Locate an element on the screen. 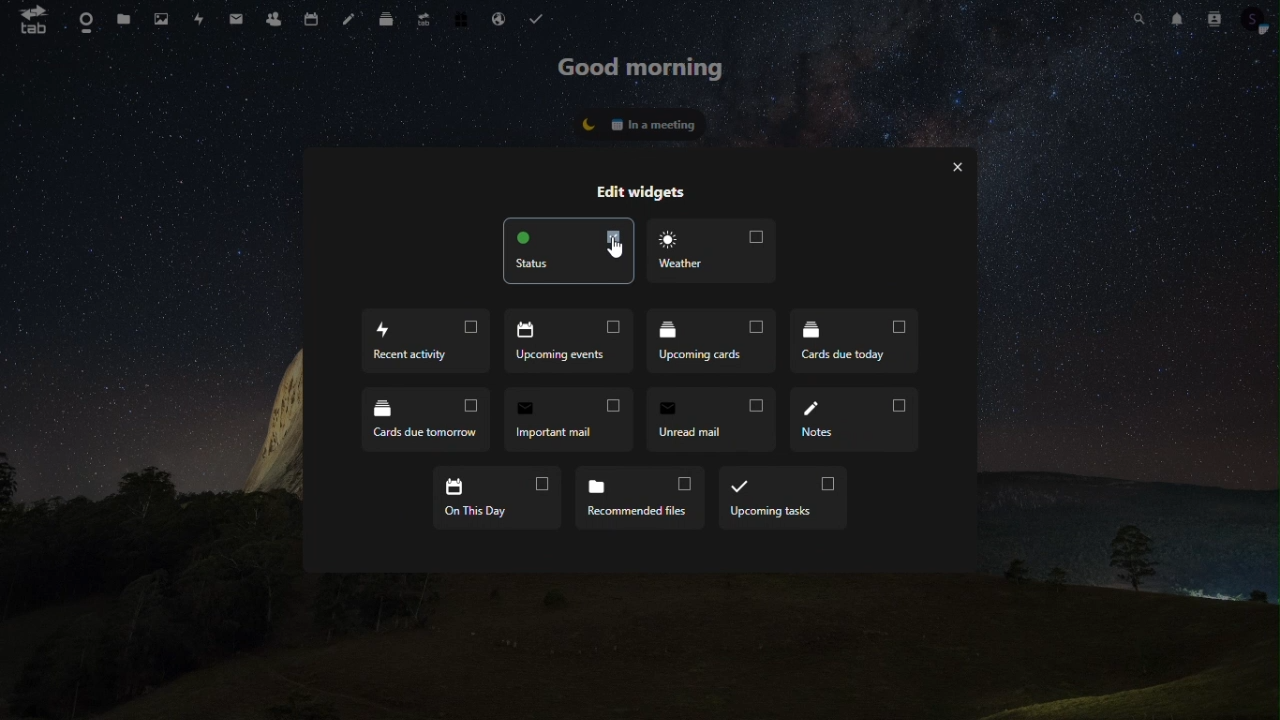 This screenshot has width=1280, height=720. recommended files is located at coordinates (644, 498).